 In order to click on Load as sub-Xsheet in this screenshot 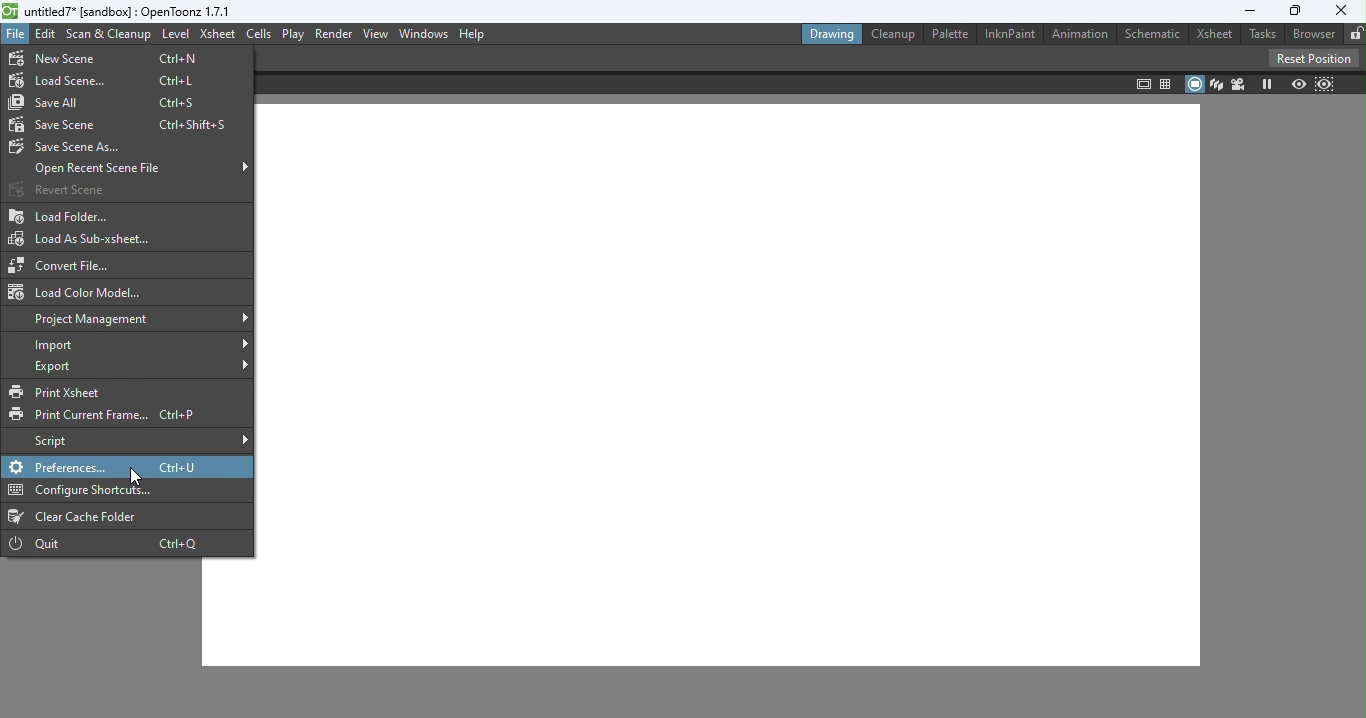, I will do `click(85, 237)`.